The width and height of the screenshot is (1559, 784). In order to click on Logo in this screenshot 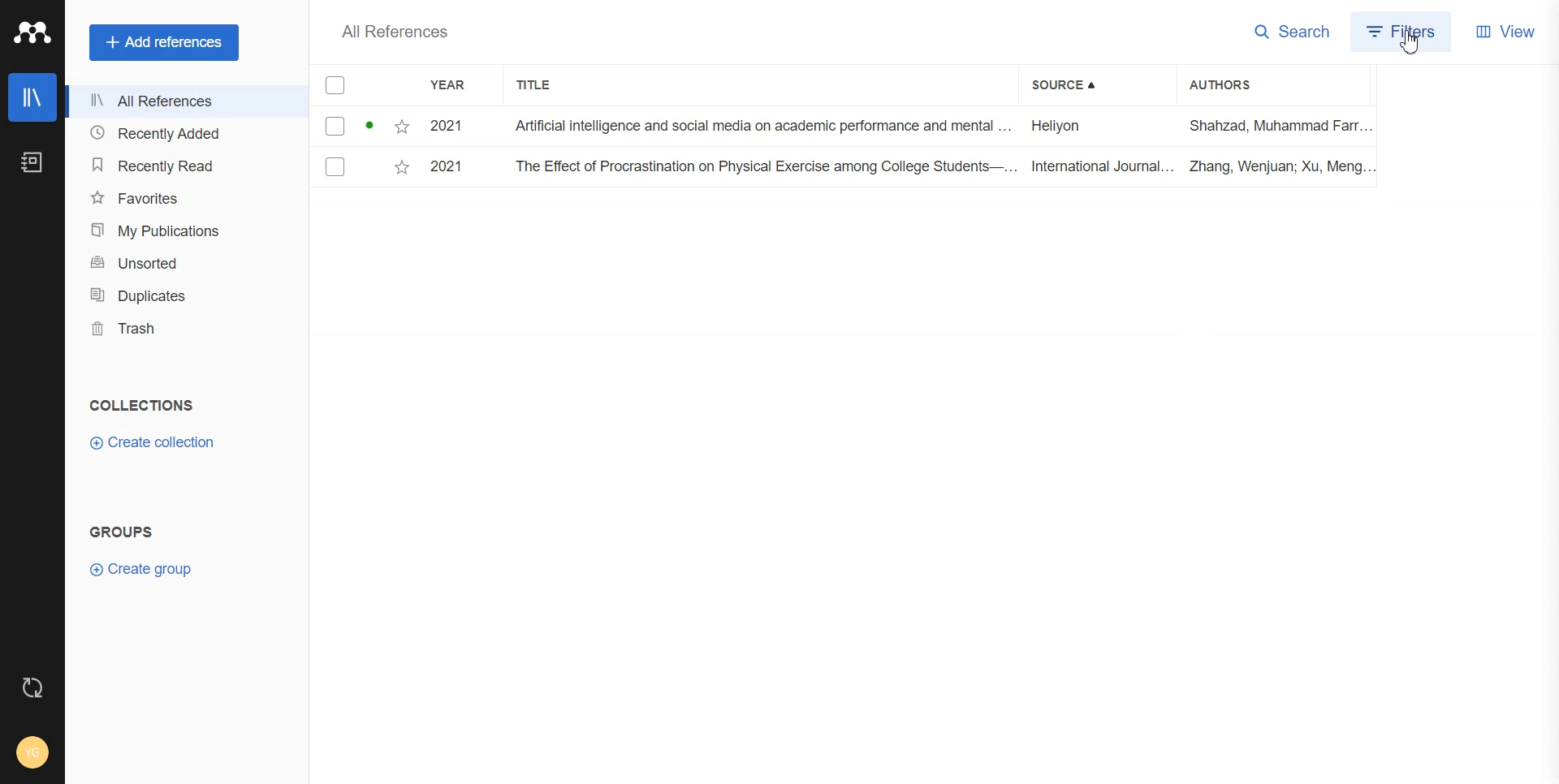, I will do `click(32, 31)`.